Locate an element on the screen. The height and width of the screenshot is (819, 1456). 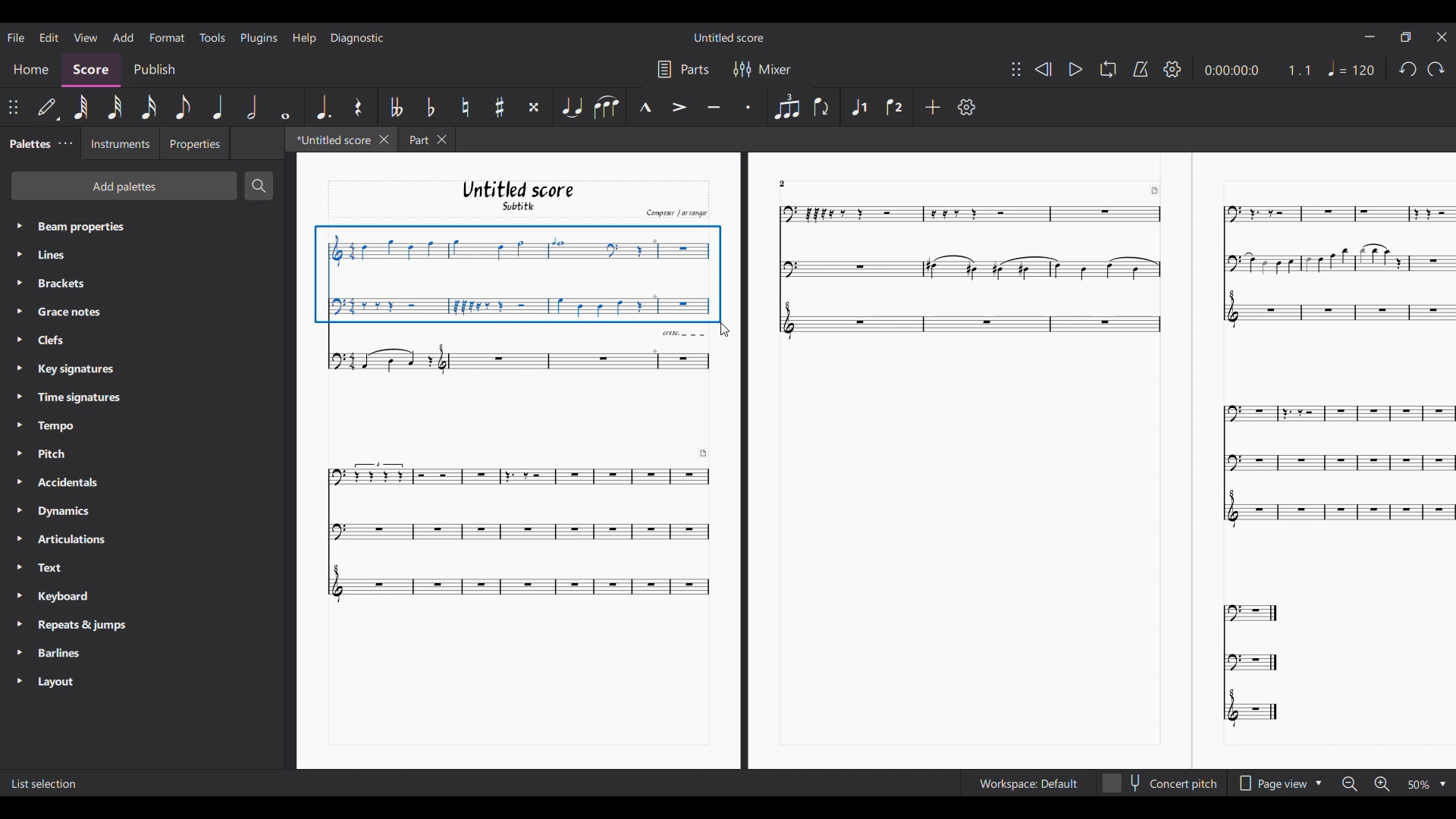
Edit is located at coordinates (49, 37).